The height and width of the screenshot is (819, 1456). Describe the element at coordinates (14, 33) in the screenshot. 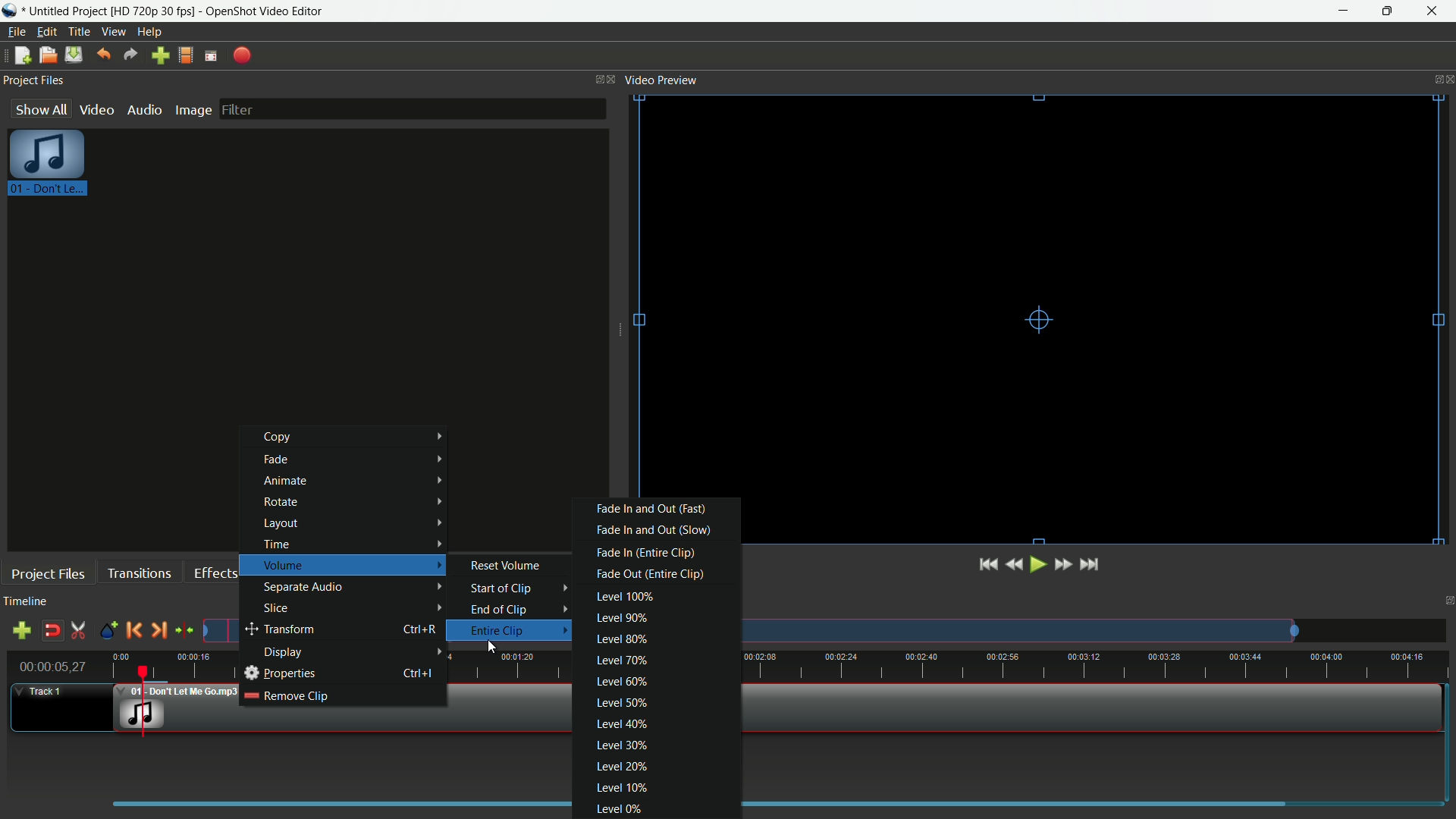

I see `file menu` at that location.